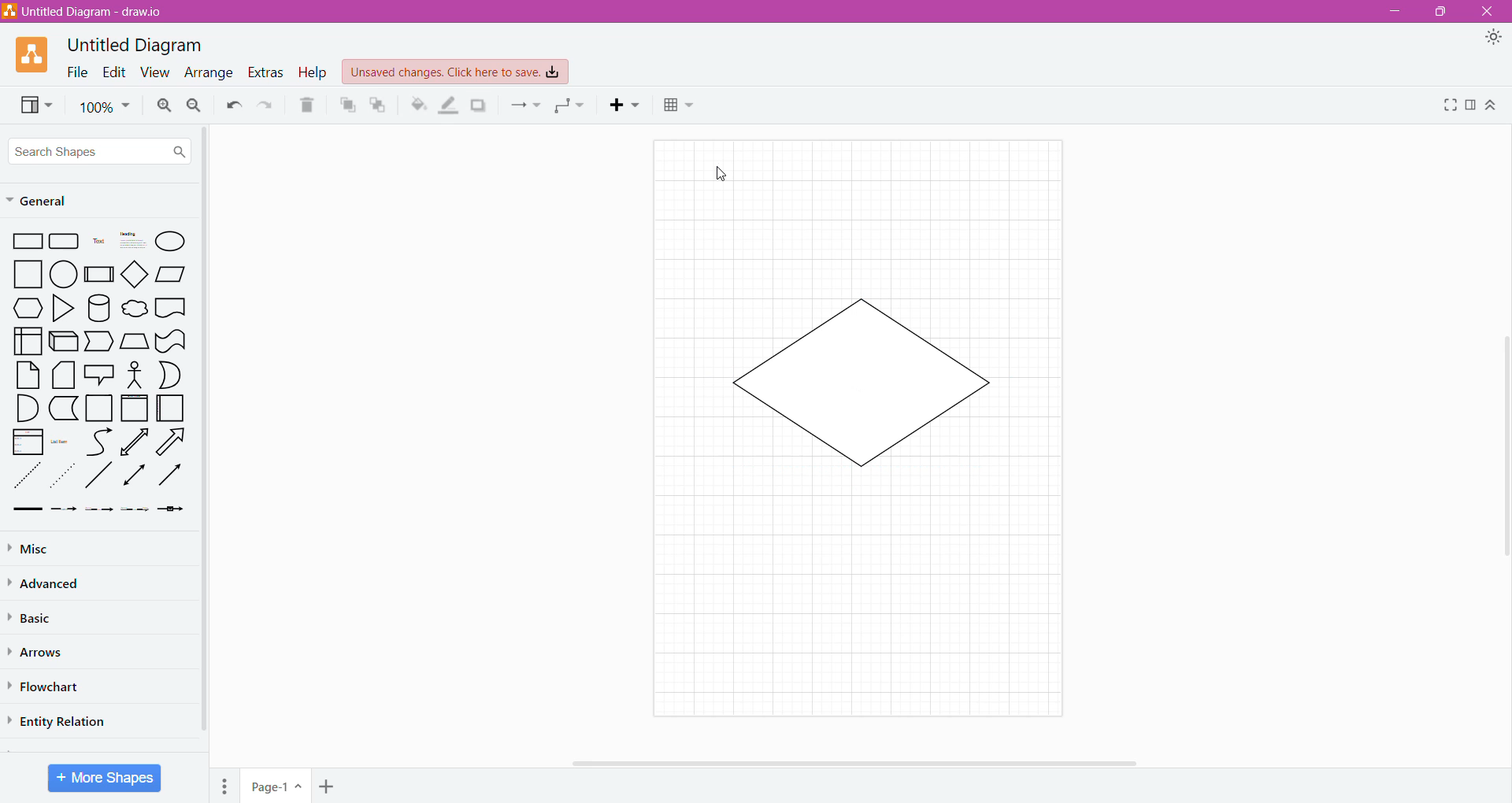  Describe the element at coordinates (379, 105) in the screenshot. I see `To Back` at that location.